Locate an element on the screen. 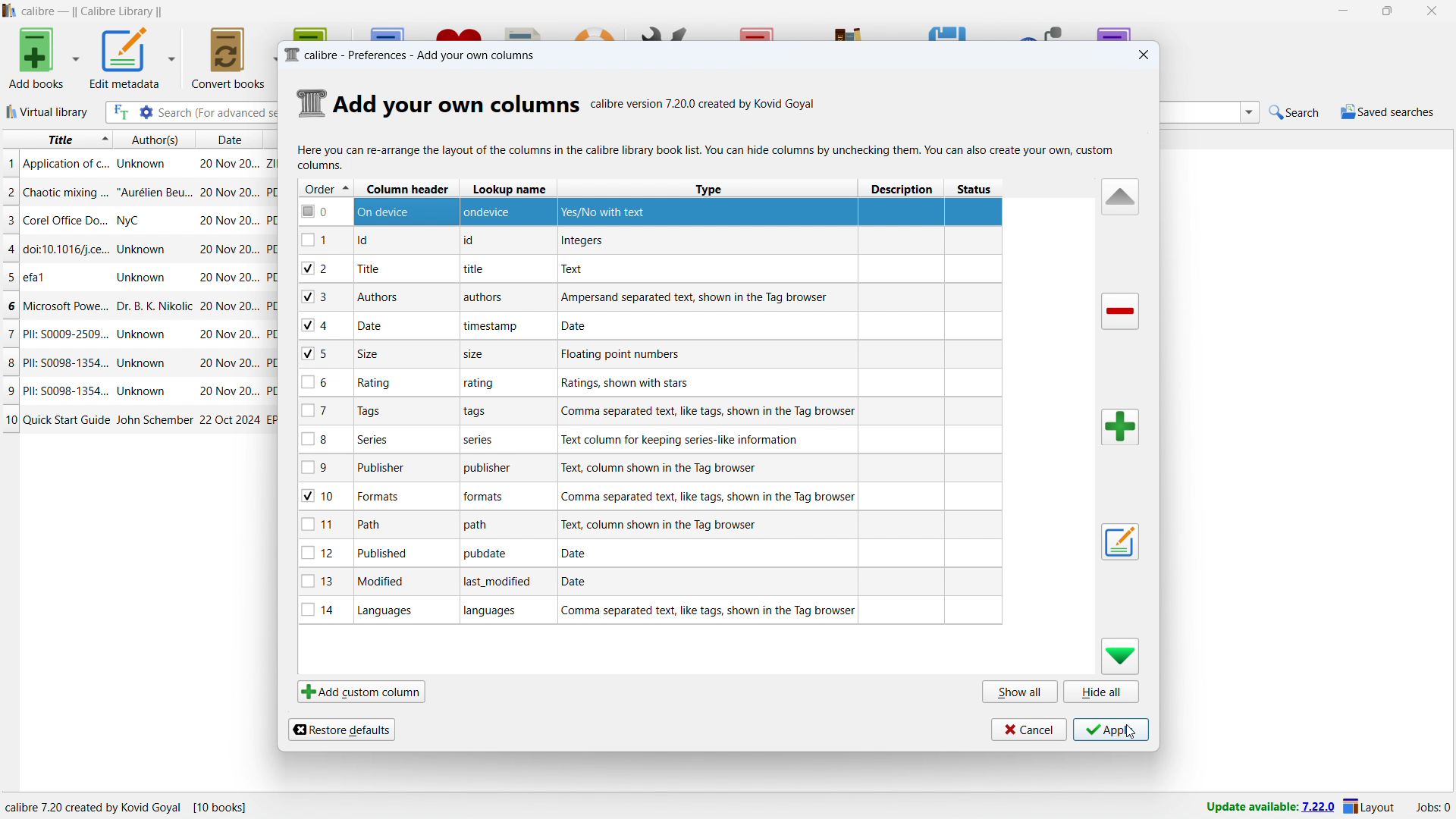  search bar is located at coordinates (218, 112).